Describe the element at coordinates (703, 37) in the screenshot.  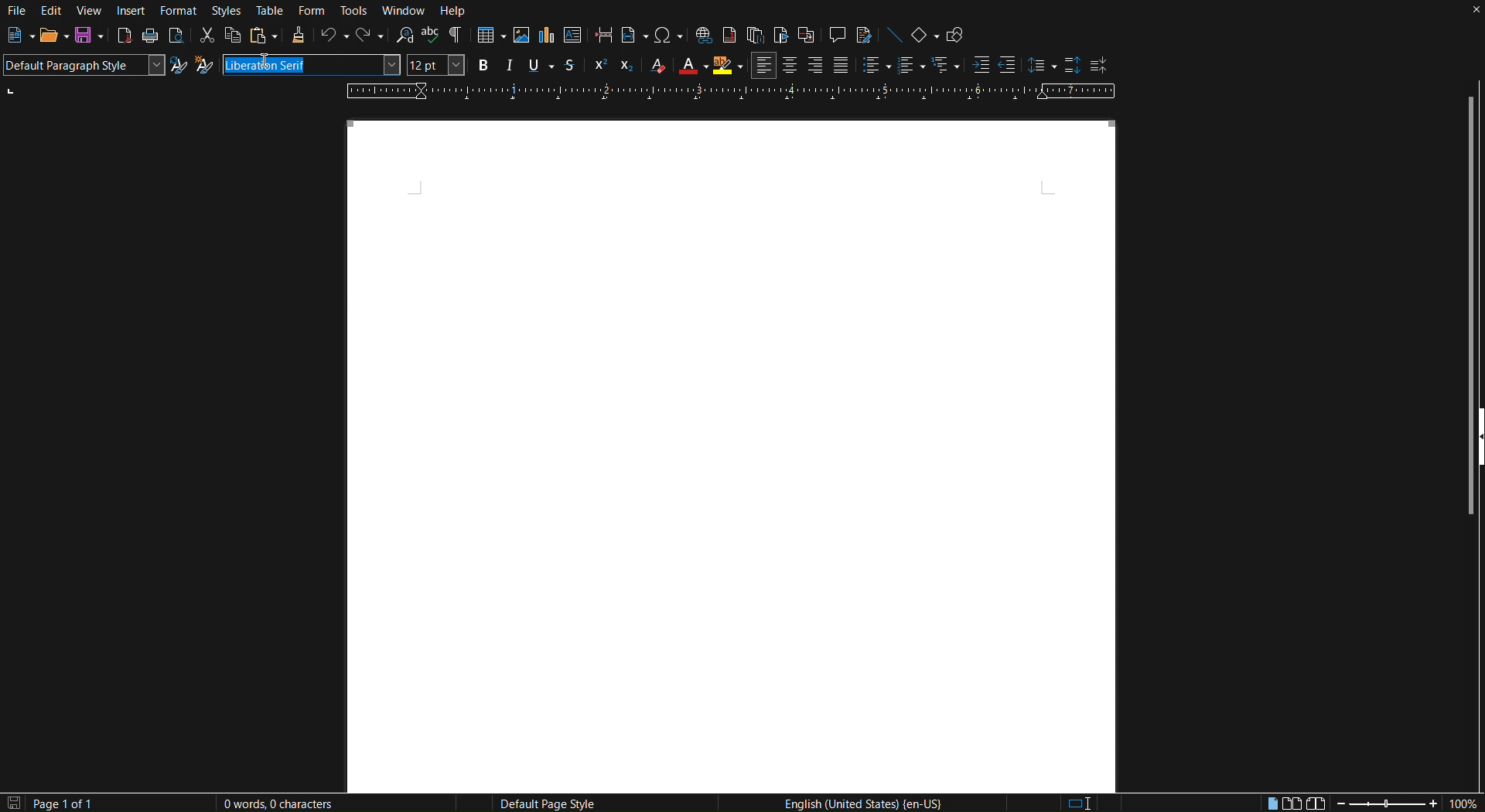
I see `Insert Hyperlink` at that location.